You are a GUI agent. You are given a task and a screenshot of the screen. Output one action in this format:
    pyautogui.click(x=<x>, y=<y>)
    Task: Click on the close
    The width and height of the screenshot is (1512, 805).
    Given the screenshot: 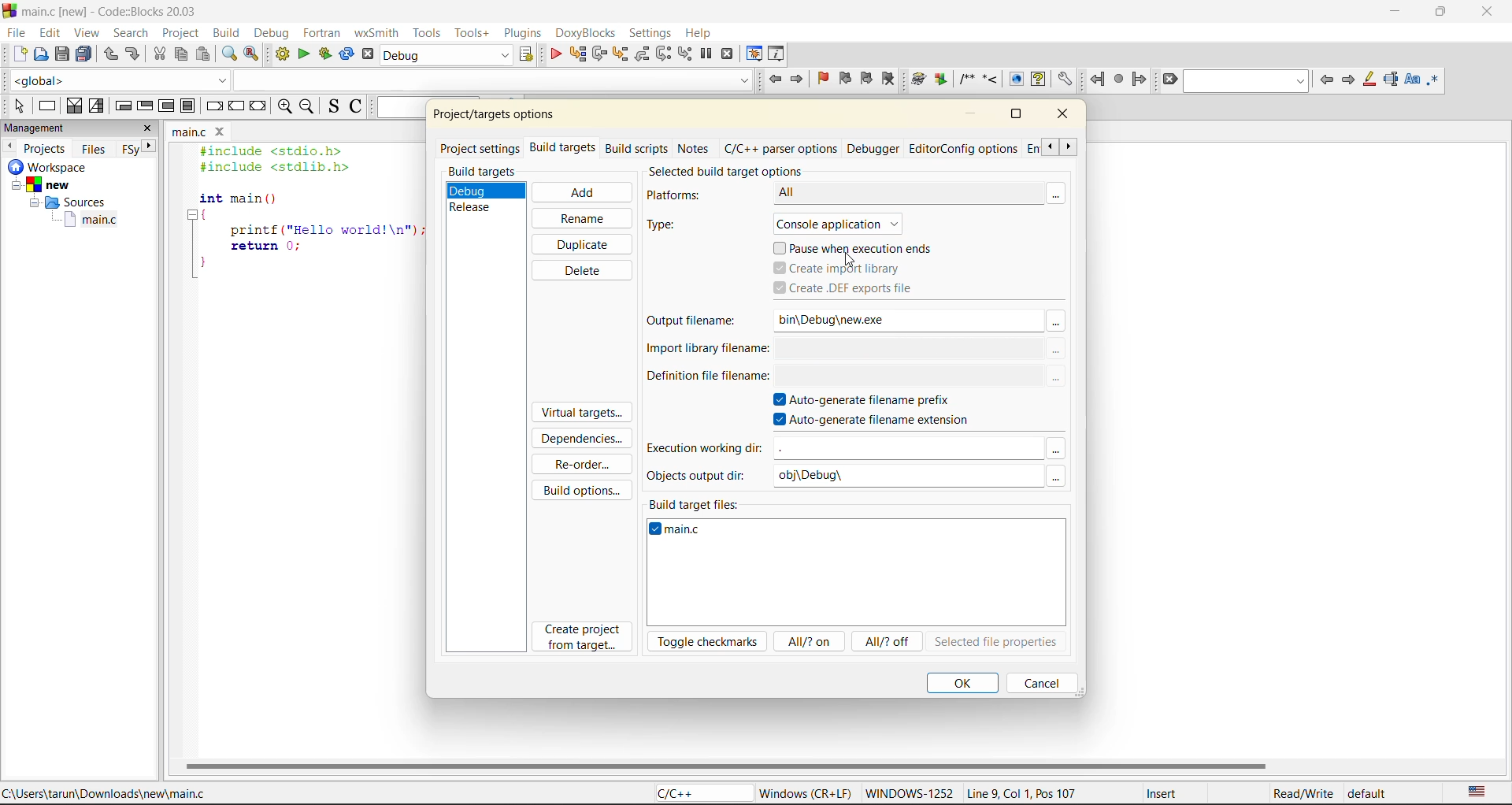 What is the action you would take?
    pyautogui.click(x=1488, y=15)
    